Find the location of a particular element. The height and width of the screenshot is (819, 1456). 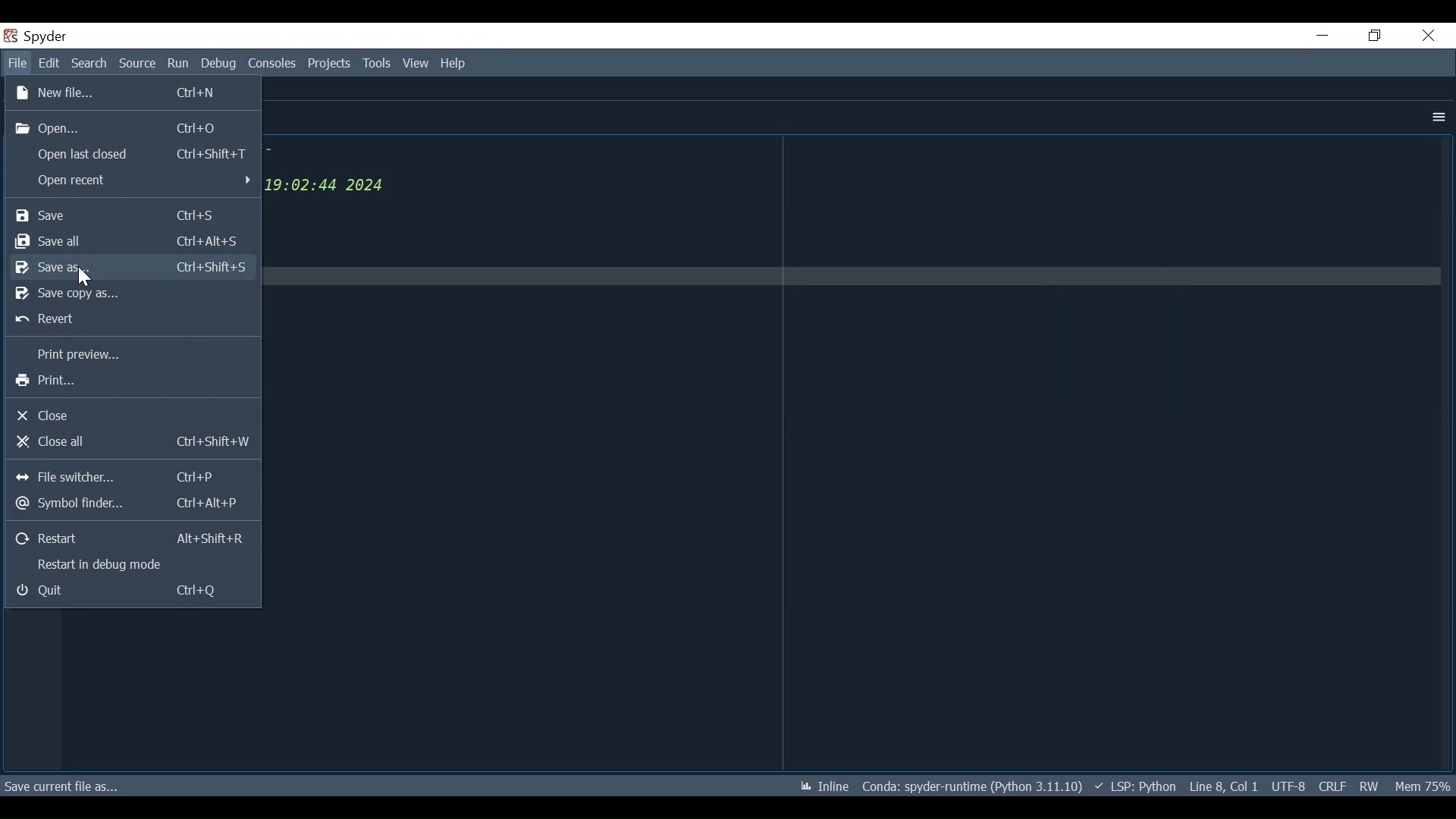

Save All is located at coordinates (131, 241).